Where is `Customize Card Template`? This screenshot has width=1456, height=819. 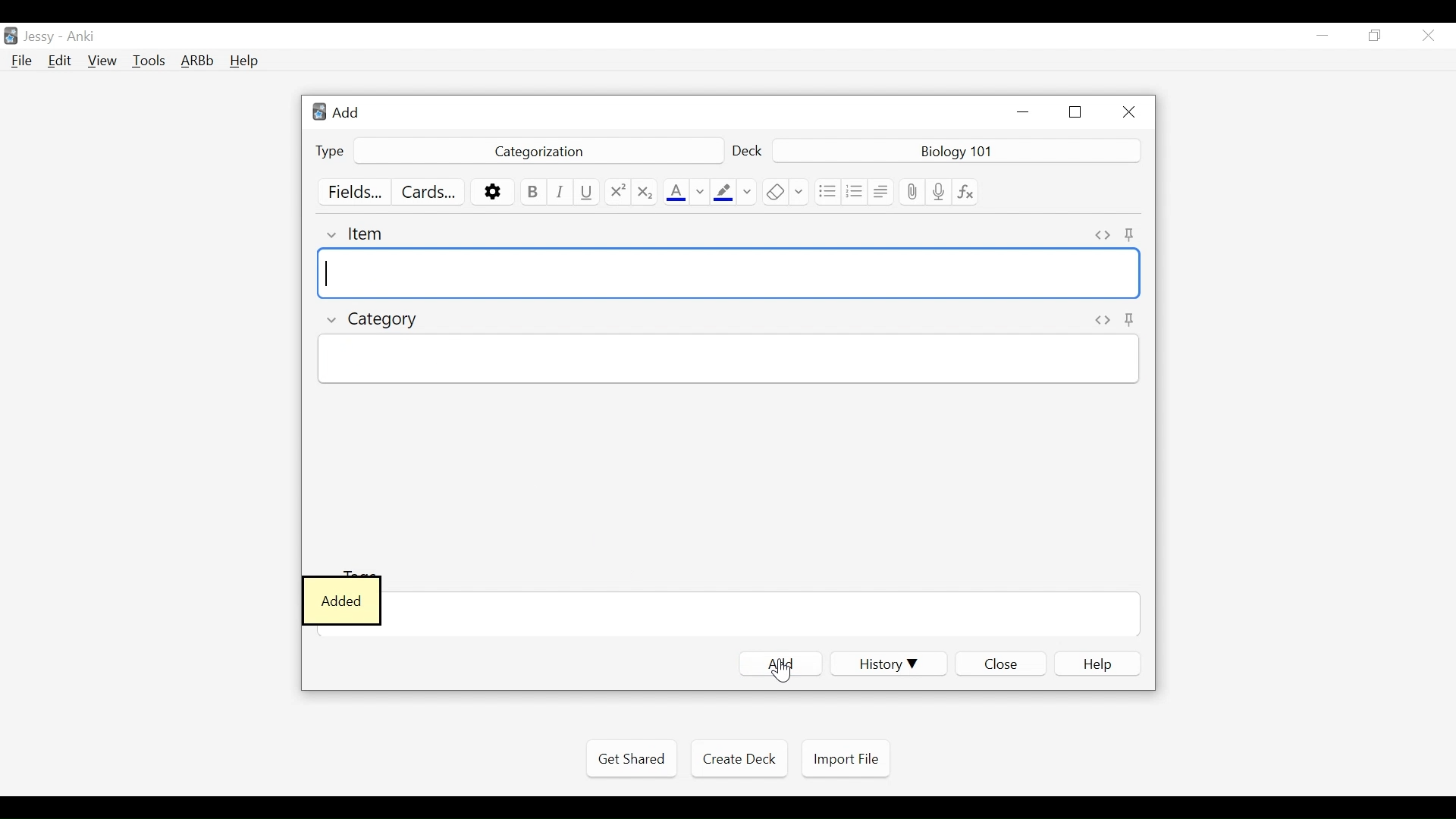 Customize Card Template is located at coordinates (427, 193).